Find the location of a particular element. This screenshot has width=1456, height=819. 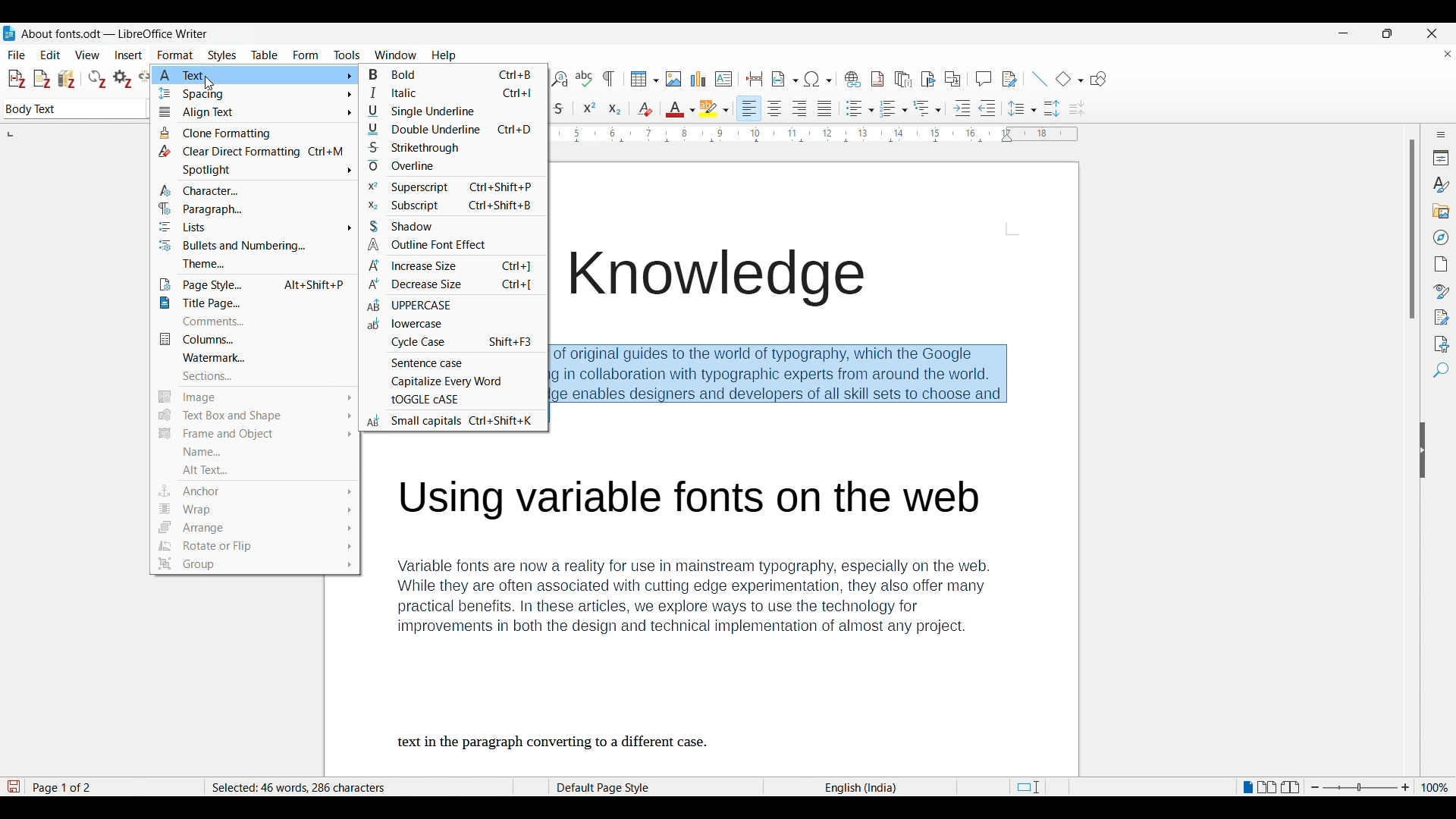

Hide sidebar is located at coordinates (1423, 450).